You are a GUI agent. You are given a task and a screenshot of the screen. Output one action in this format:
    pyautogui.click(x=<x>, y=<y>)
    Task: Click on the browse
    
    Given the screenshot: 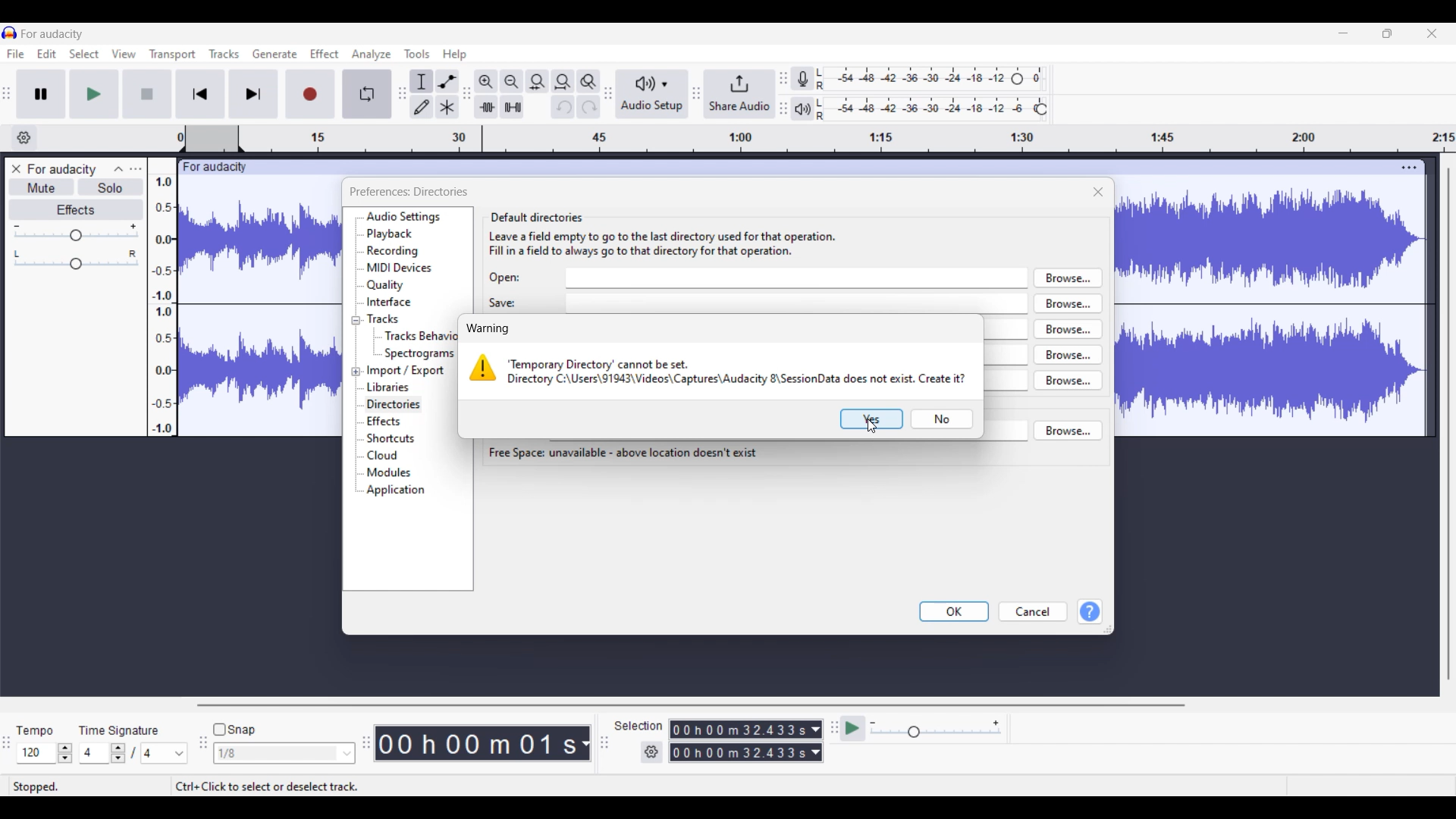 What is the action you would take?
    pyautogui.click(x=1068, y=328)
    